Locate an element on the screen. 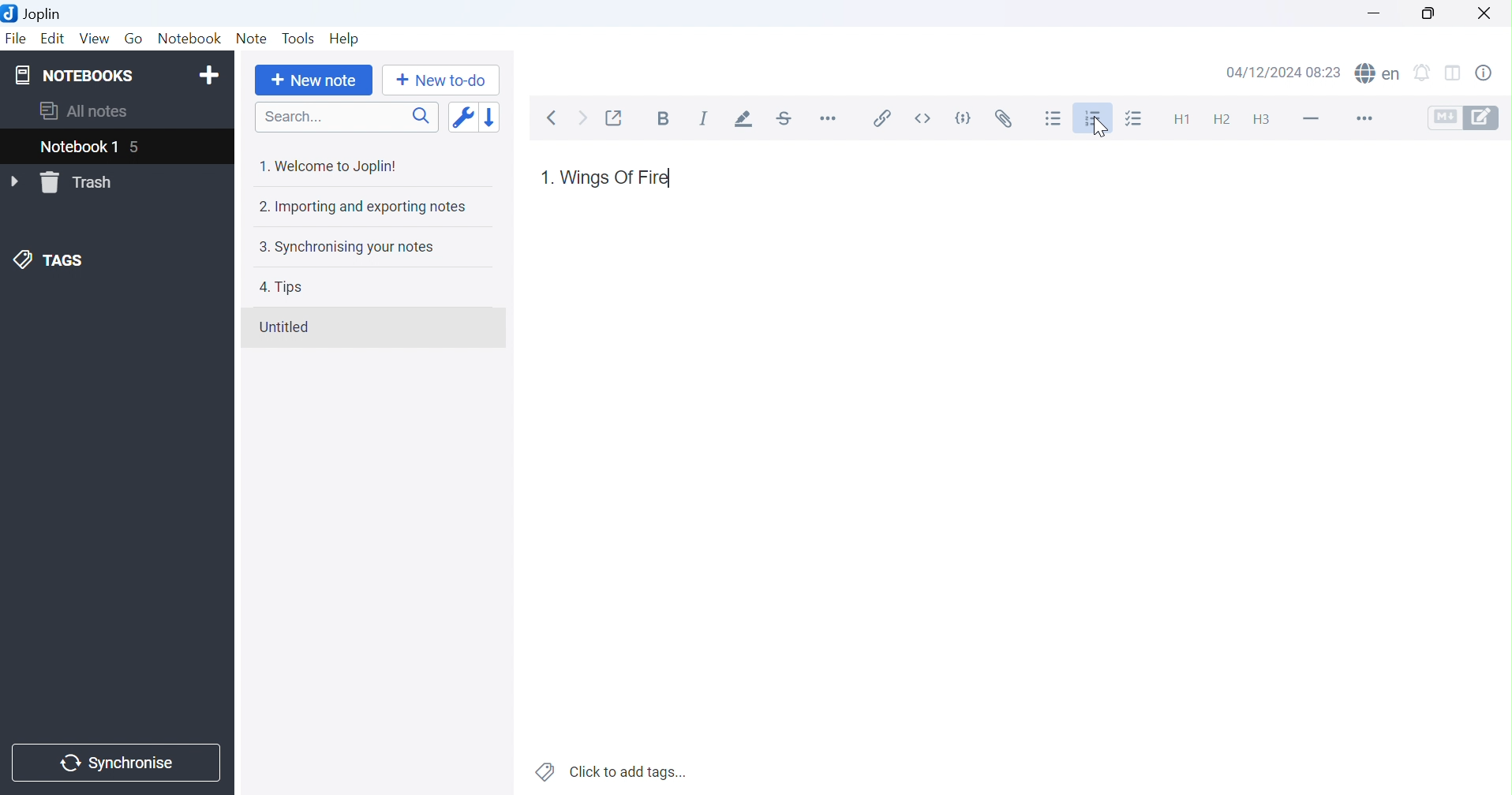 This screenshot has height=795, width=1512. Spell checker is located at coordinates (1379, 72).